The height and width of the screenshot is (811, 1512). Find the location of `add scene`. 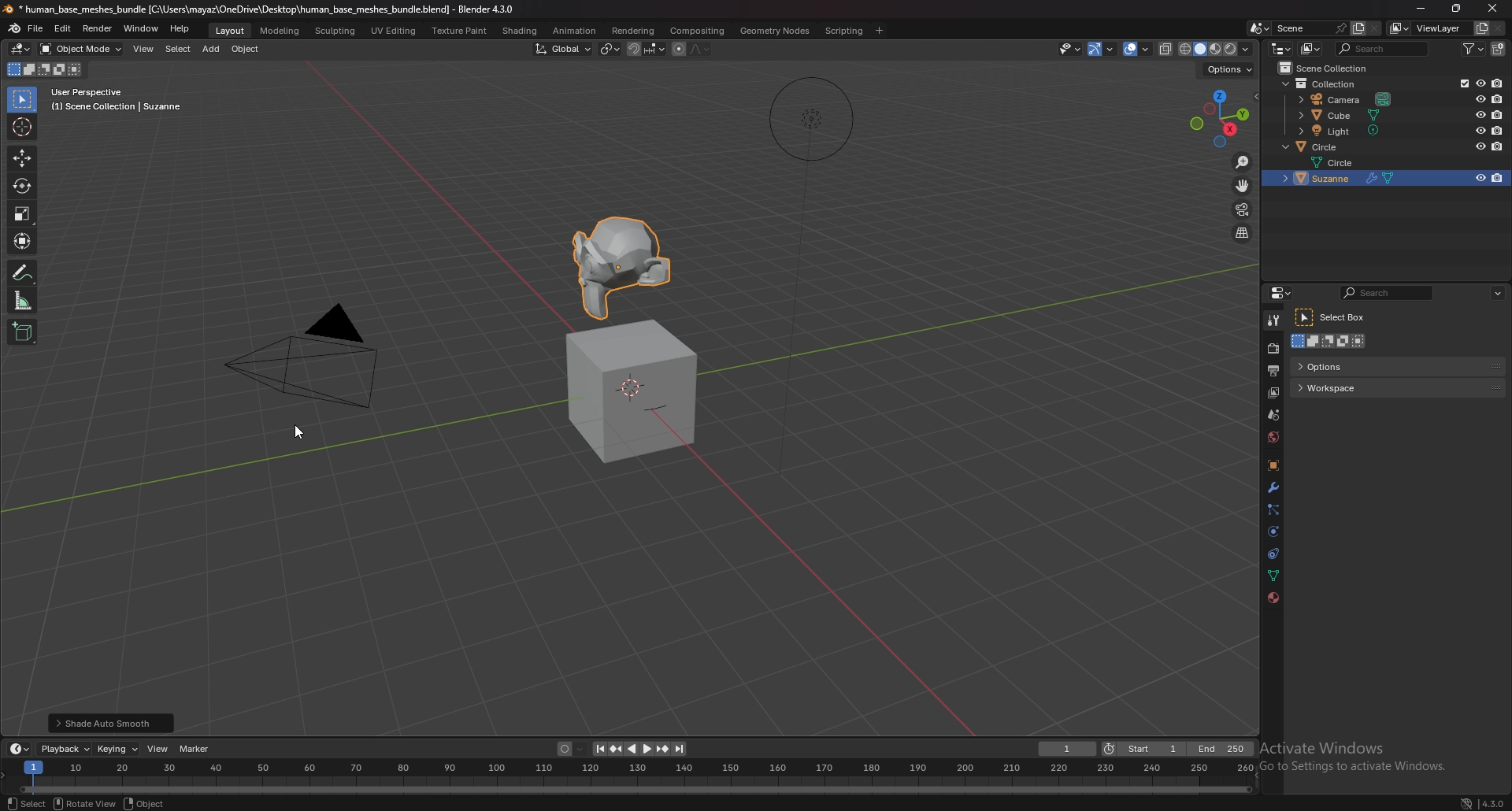

add scene is located at coordinates (1355, 28).